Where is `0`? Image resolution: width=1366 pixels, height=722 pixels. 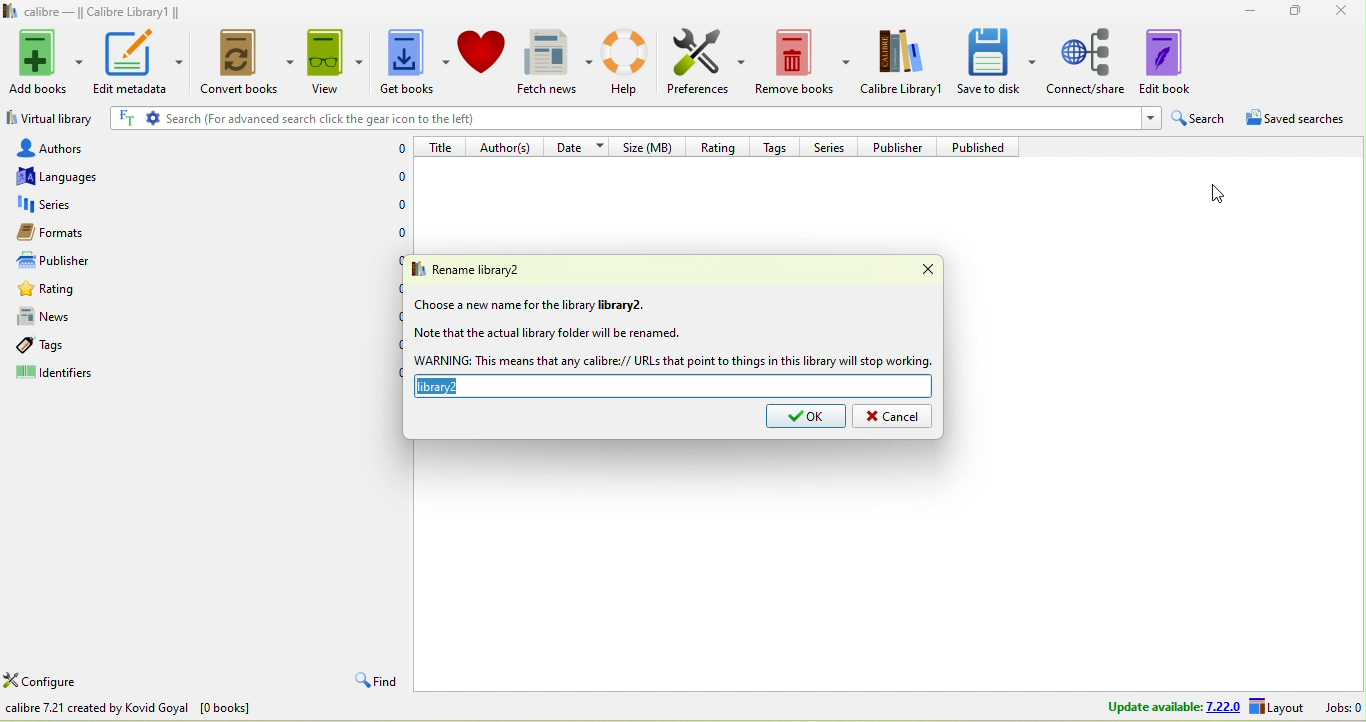 0 is located at coordinates (391, 344).